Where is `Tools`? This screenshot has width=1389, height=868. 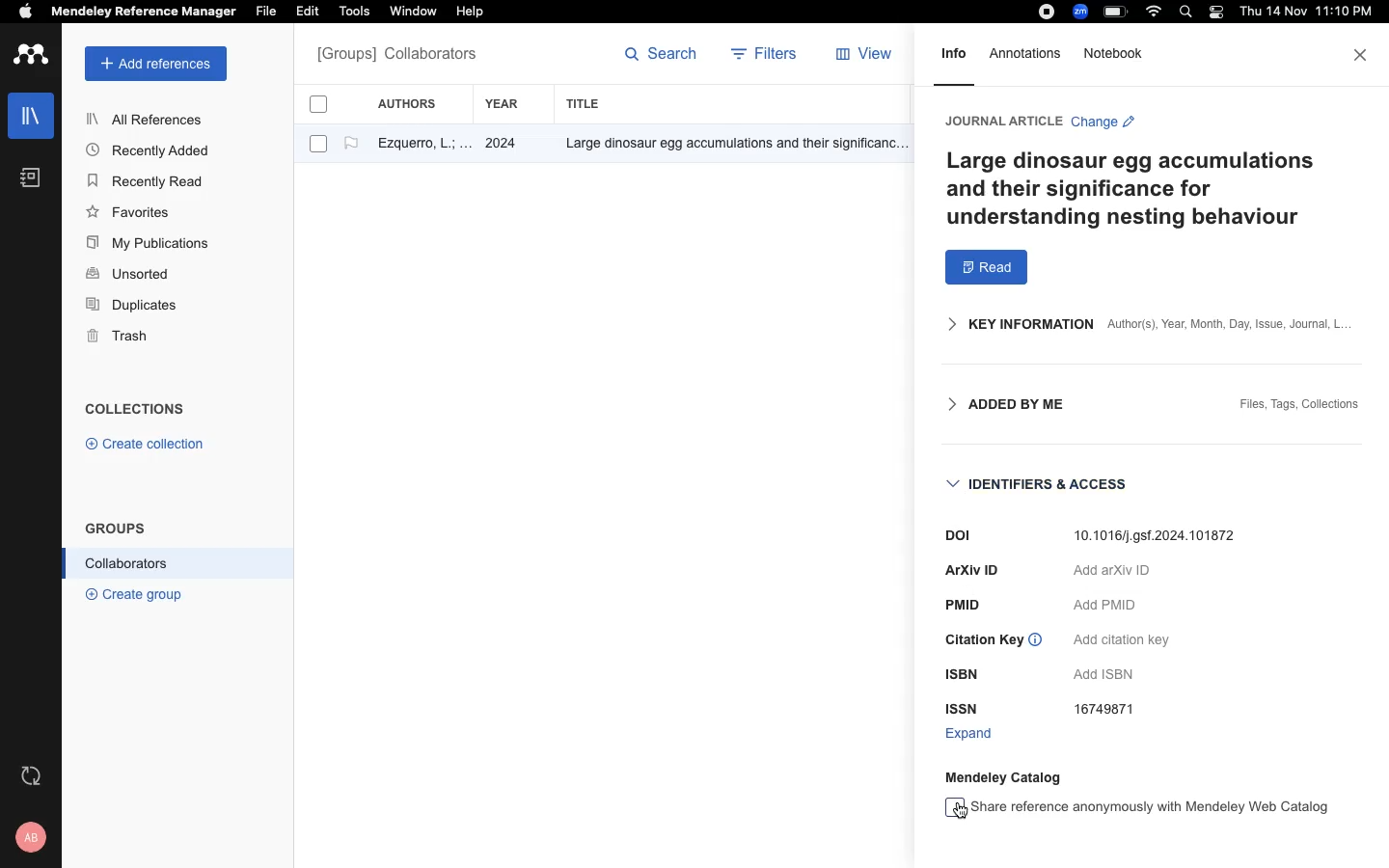 Tools is located at coordinates (354, 13).